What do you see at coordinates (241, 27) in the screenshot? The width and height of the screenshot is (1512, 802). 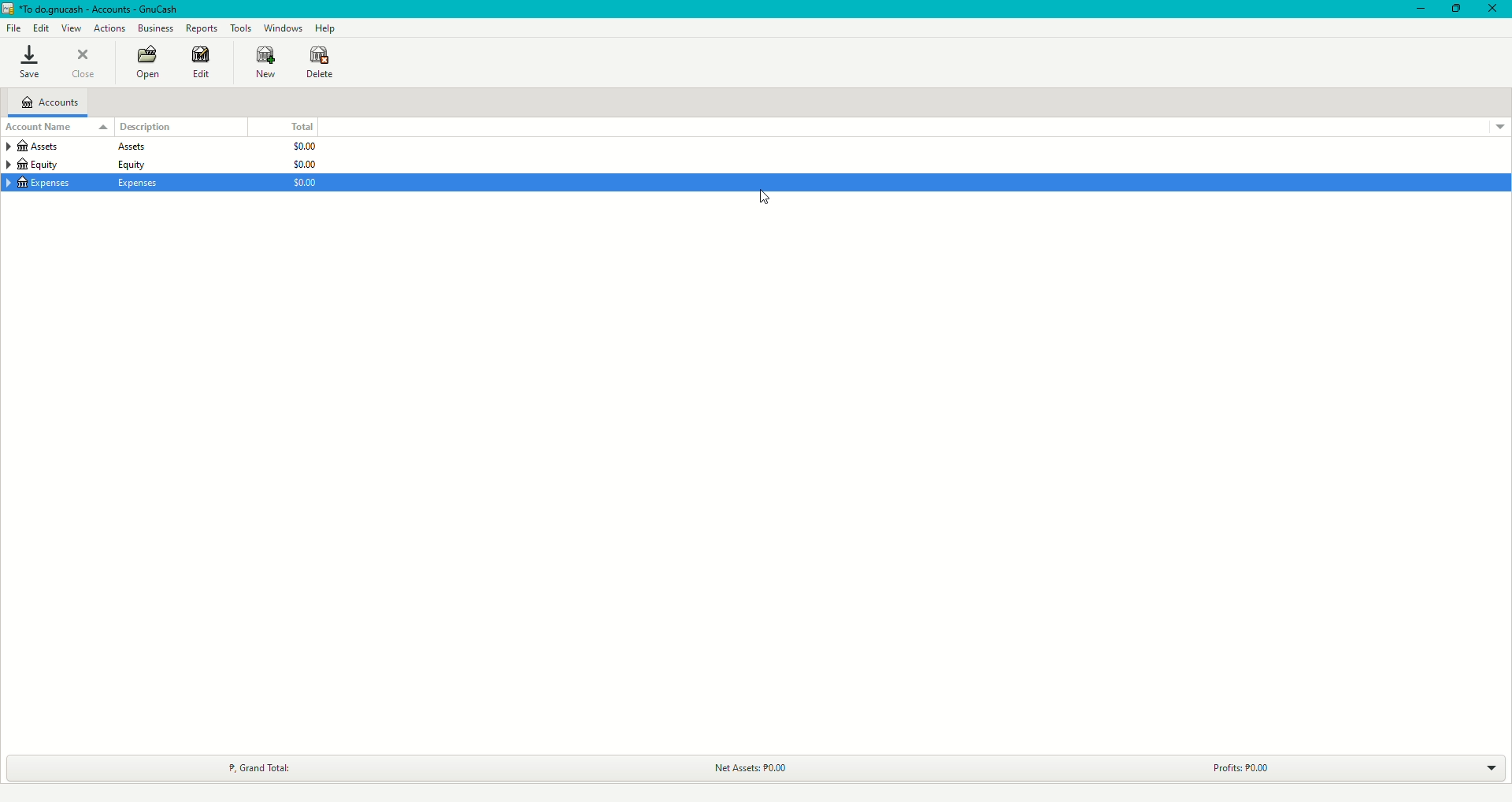 I see `Tools` at bounding box center [241, 27].